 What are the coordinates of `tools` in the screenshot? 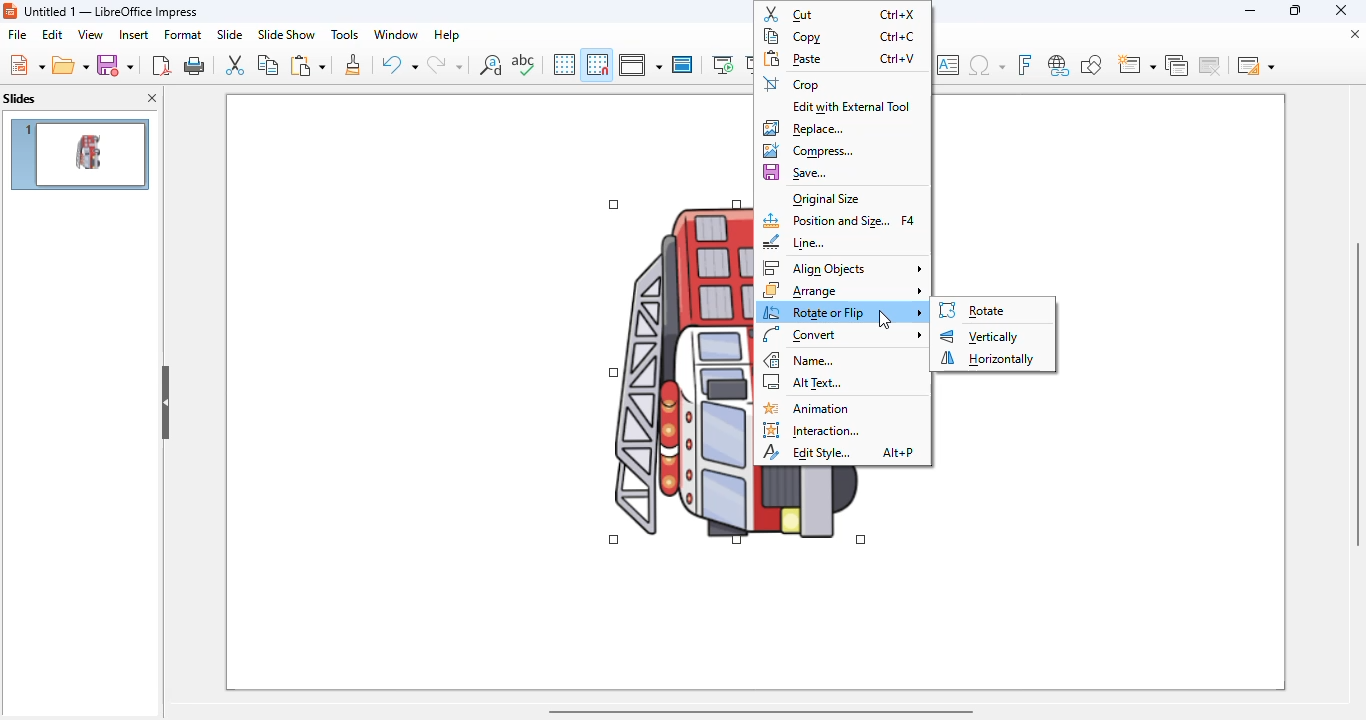 It's located at (344, 34).